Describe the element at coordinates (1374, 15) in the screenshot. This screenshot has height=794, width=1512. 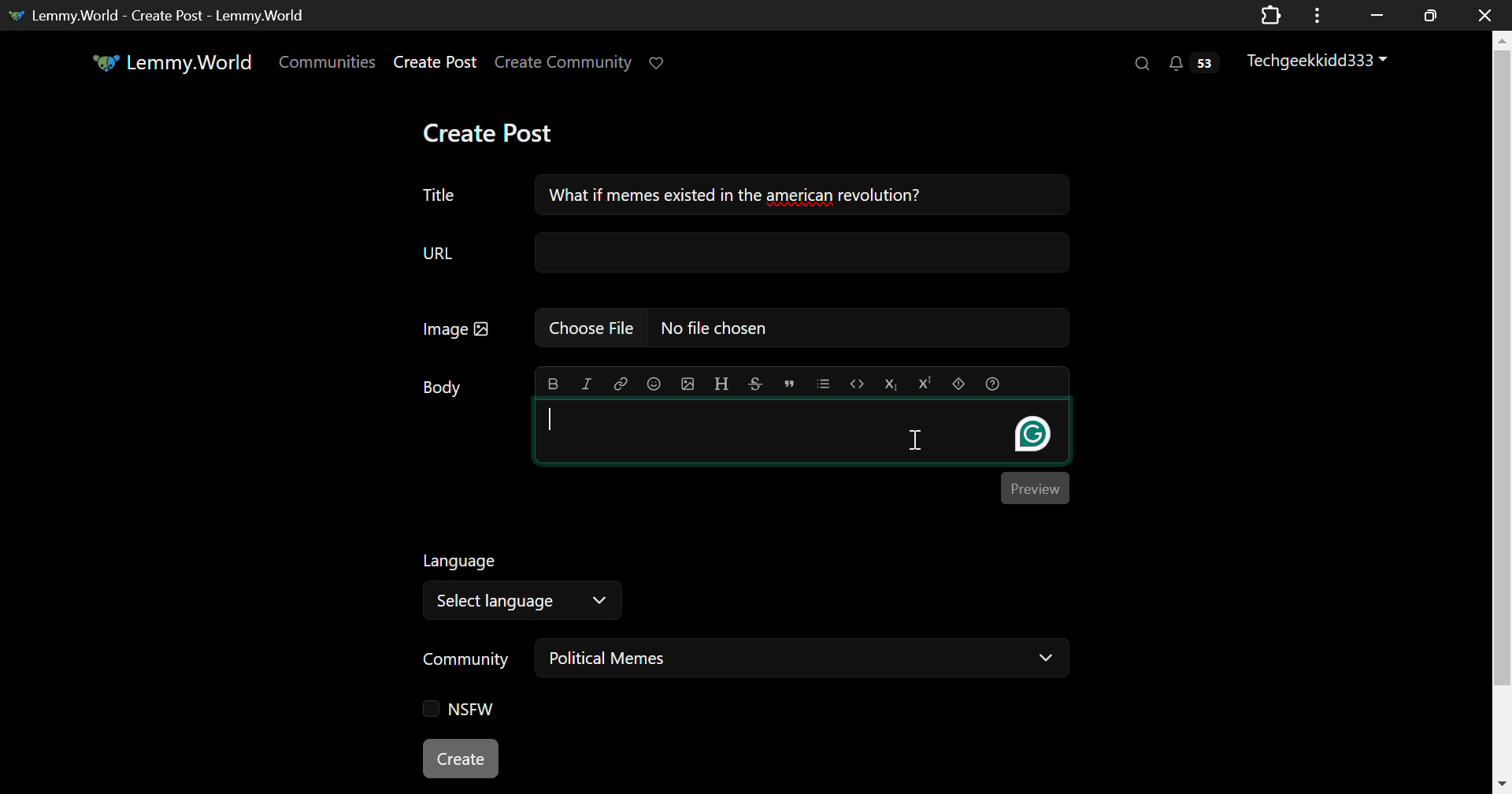
I see `Restore Down` at that location.